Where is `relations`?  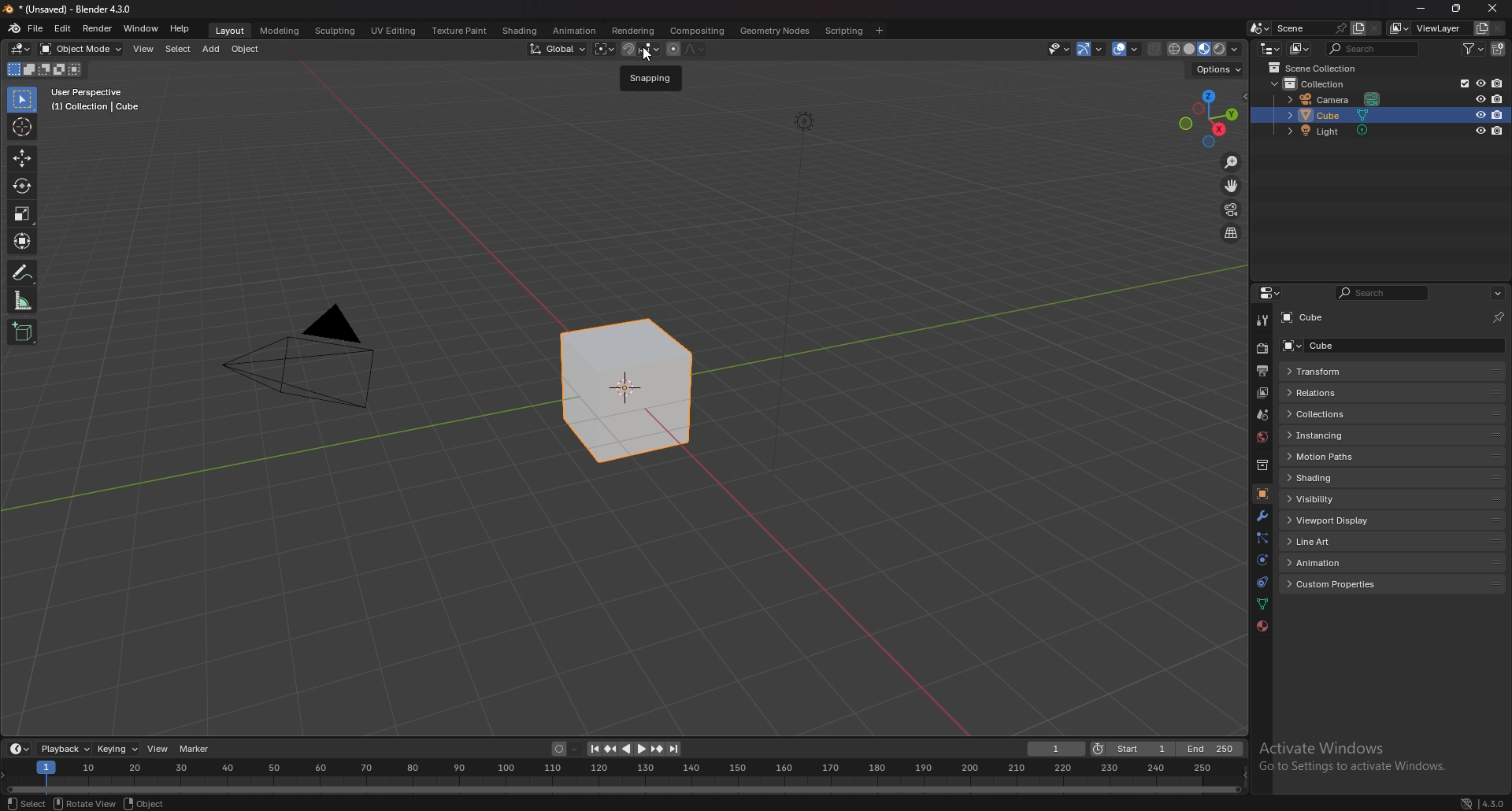
relations is located at coordinates (1328, 393).